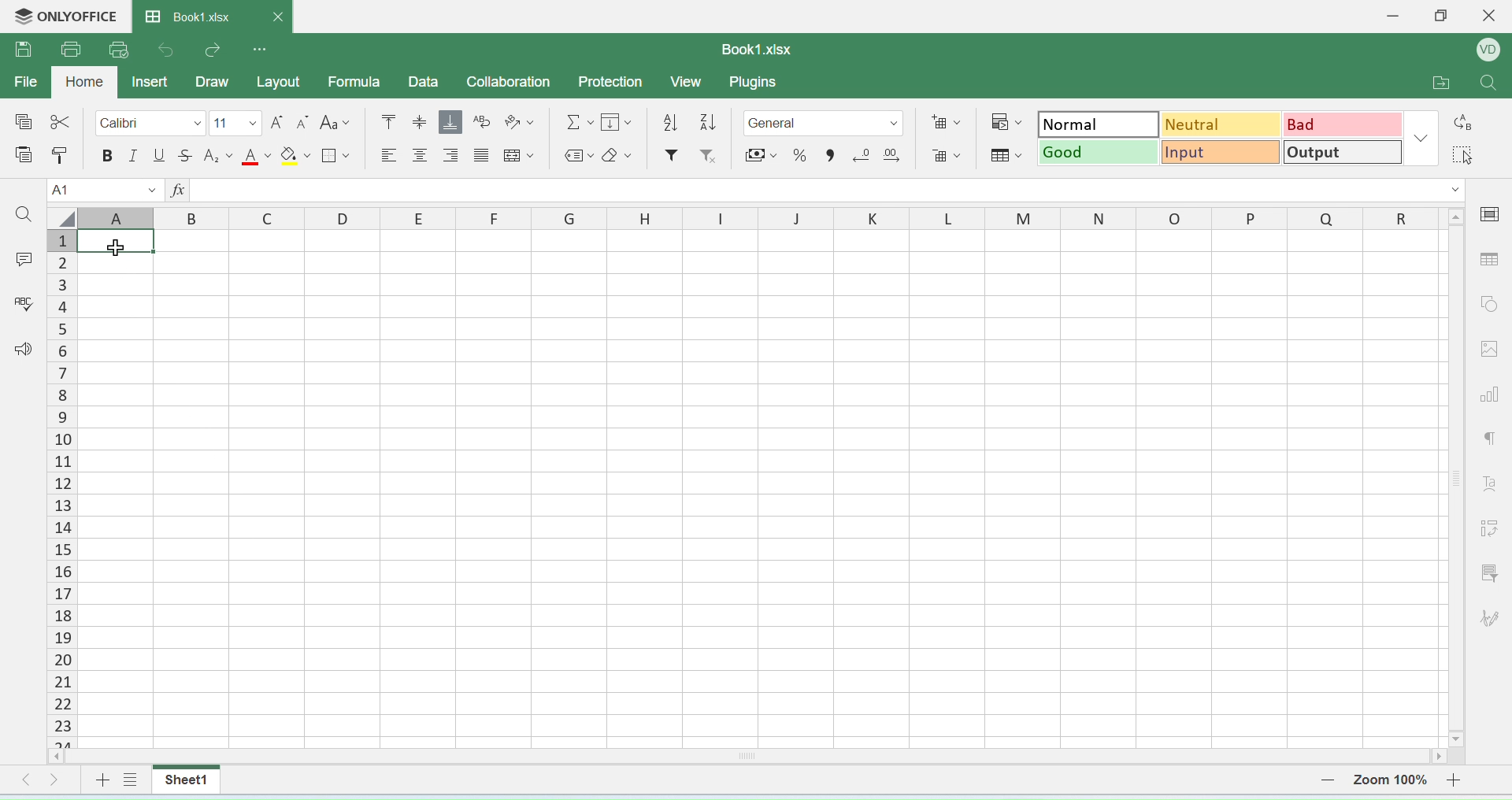 Image resolution: width=1512 pixels, height=800 pixels. Describe the element at coordinates (1003, 153) in the screenshot. I see `format as table template` at that location.